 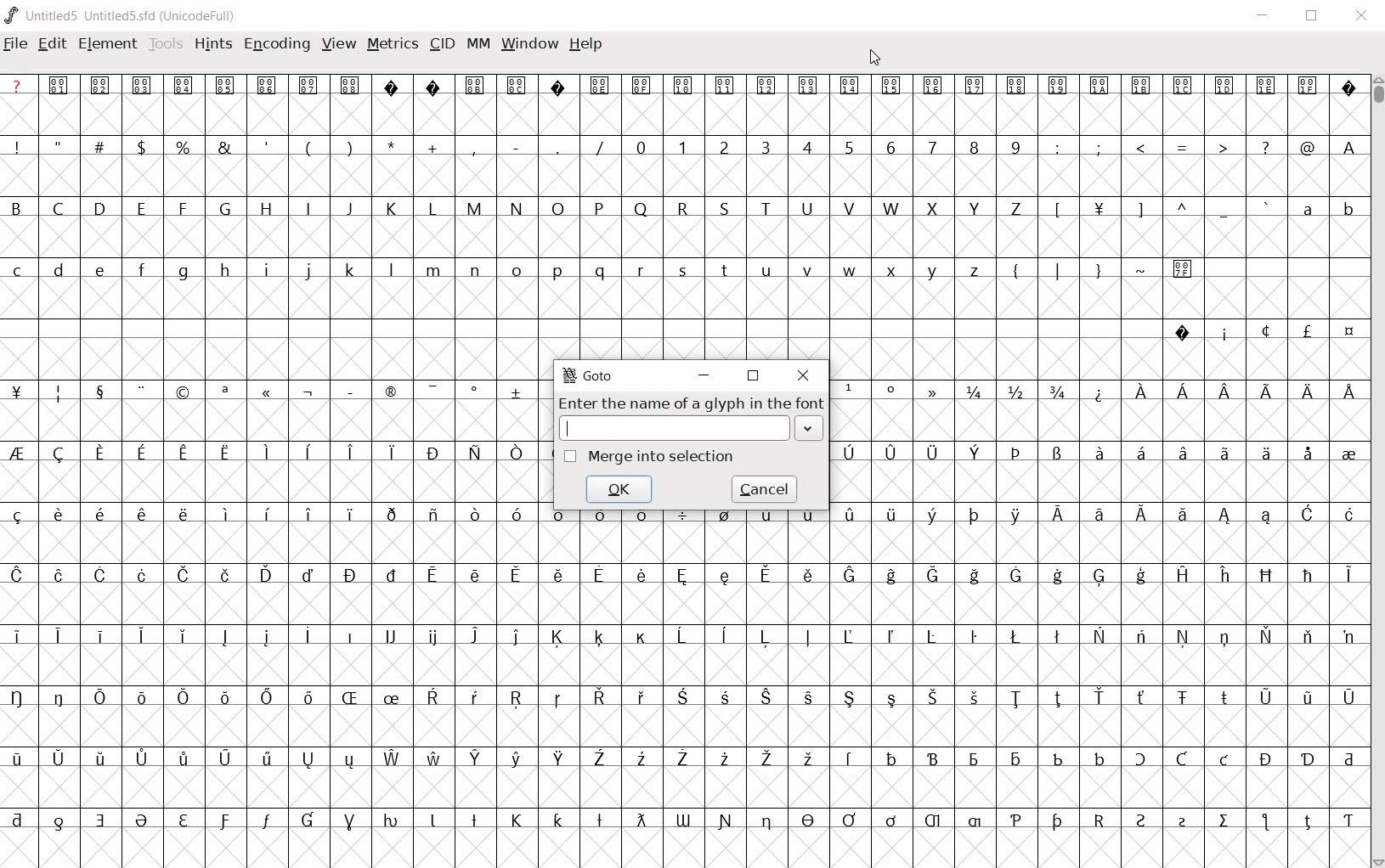 What do you see at coordinates (98, 391) in the screenshot?
I see `Symbol` at bounding box center [98, 391].